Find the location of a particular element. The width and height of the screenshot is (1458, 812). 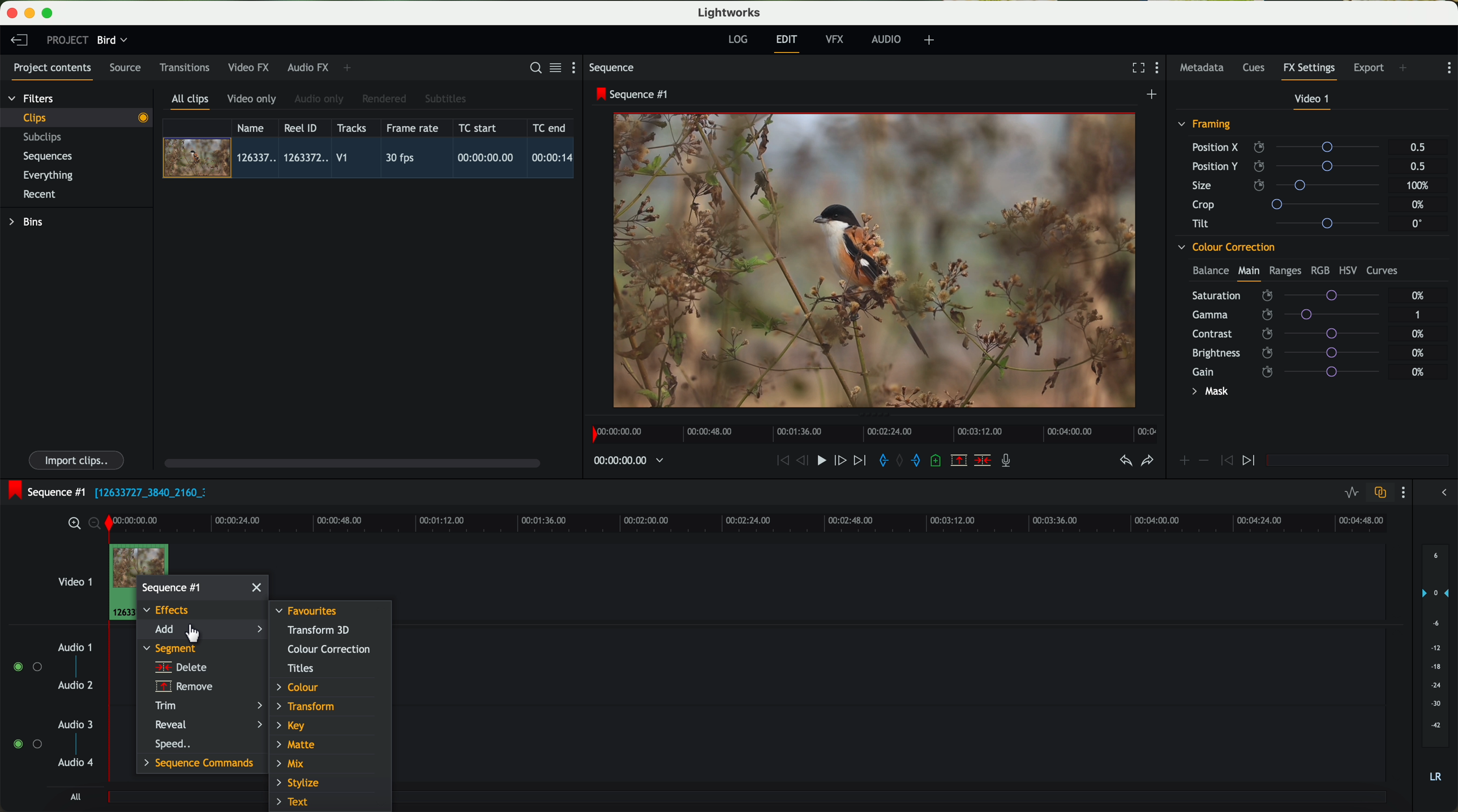

video FX is located at coordinates (251, 67).